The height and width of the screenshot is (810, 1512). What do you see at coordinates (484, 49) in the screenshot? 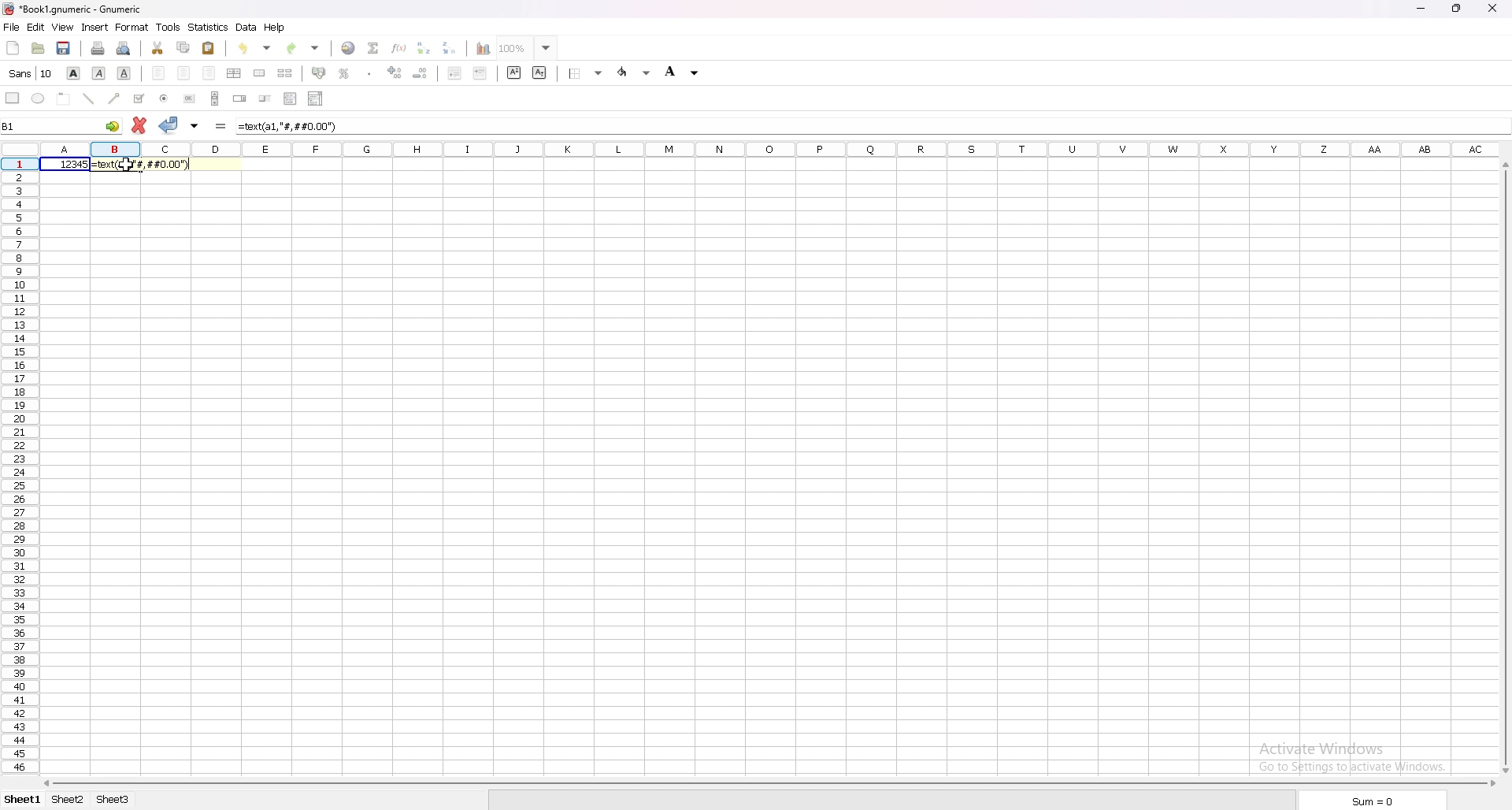
I see `chart` at bounding box center [484, 49].